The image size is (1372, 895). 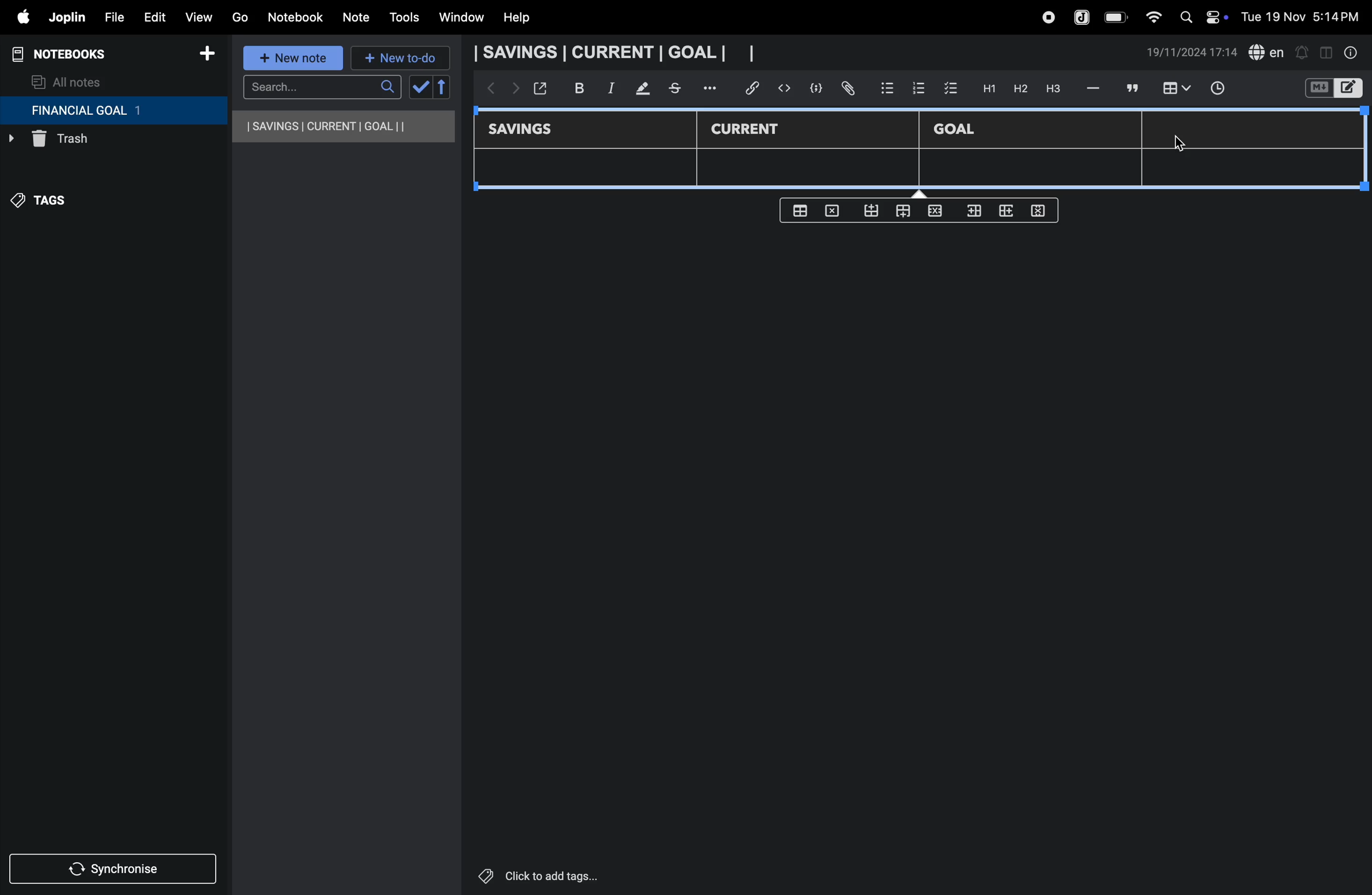 I want to click on hifen, so click(x=1095, y=88).